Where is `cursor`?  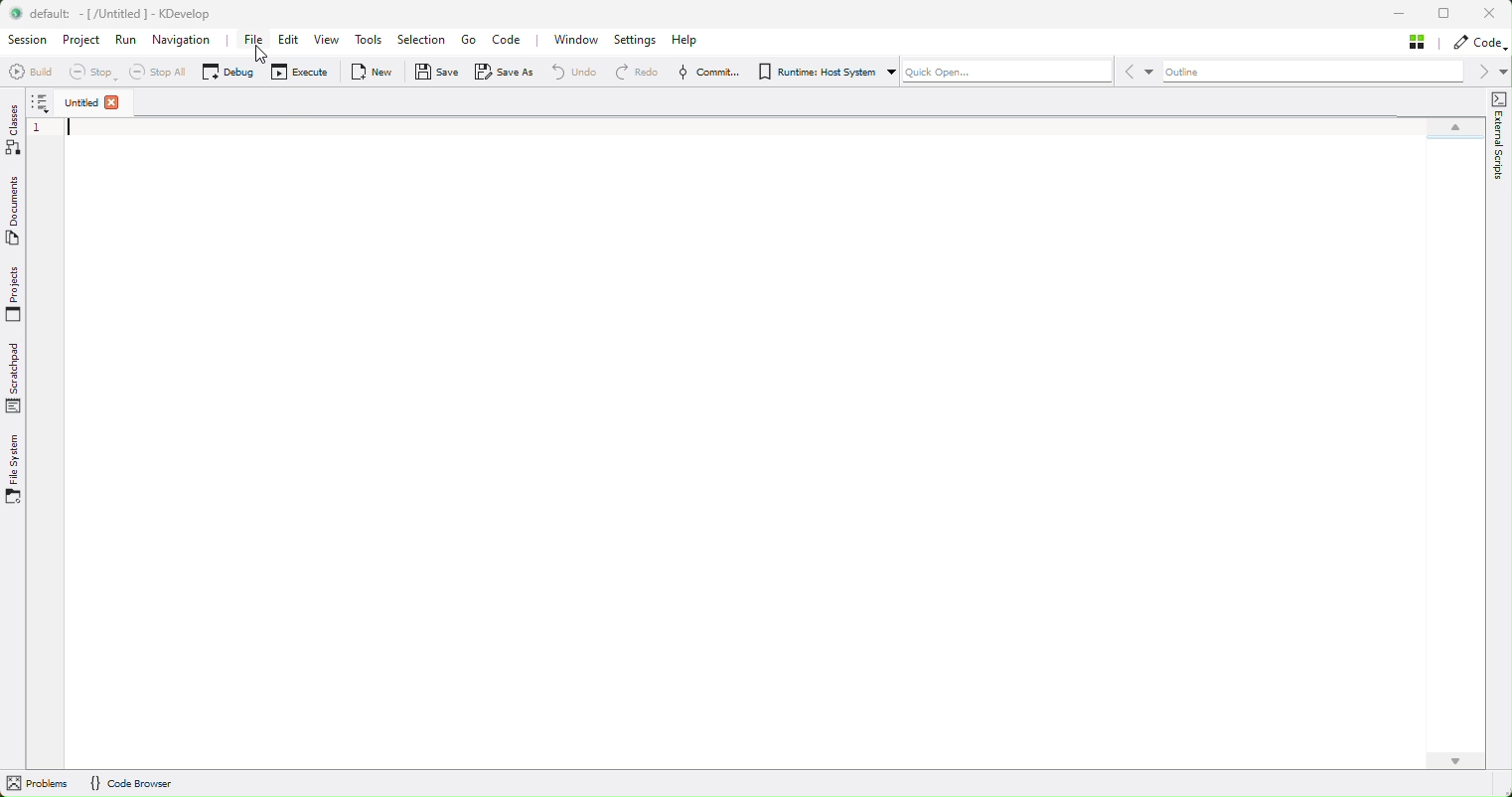
cursor is located at coordinates (265, 56).